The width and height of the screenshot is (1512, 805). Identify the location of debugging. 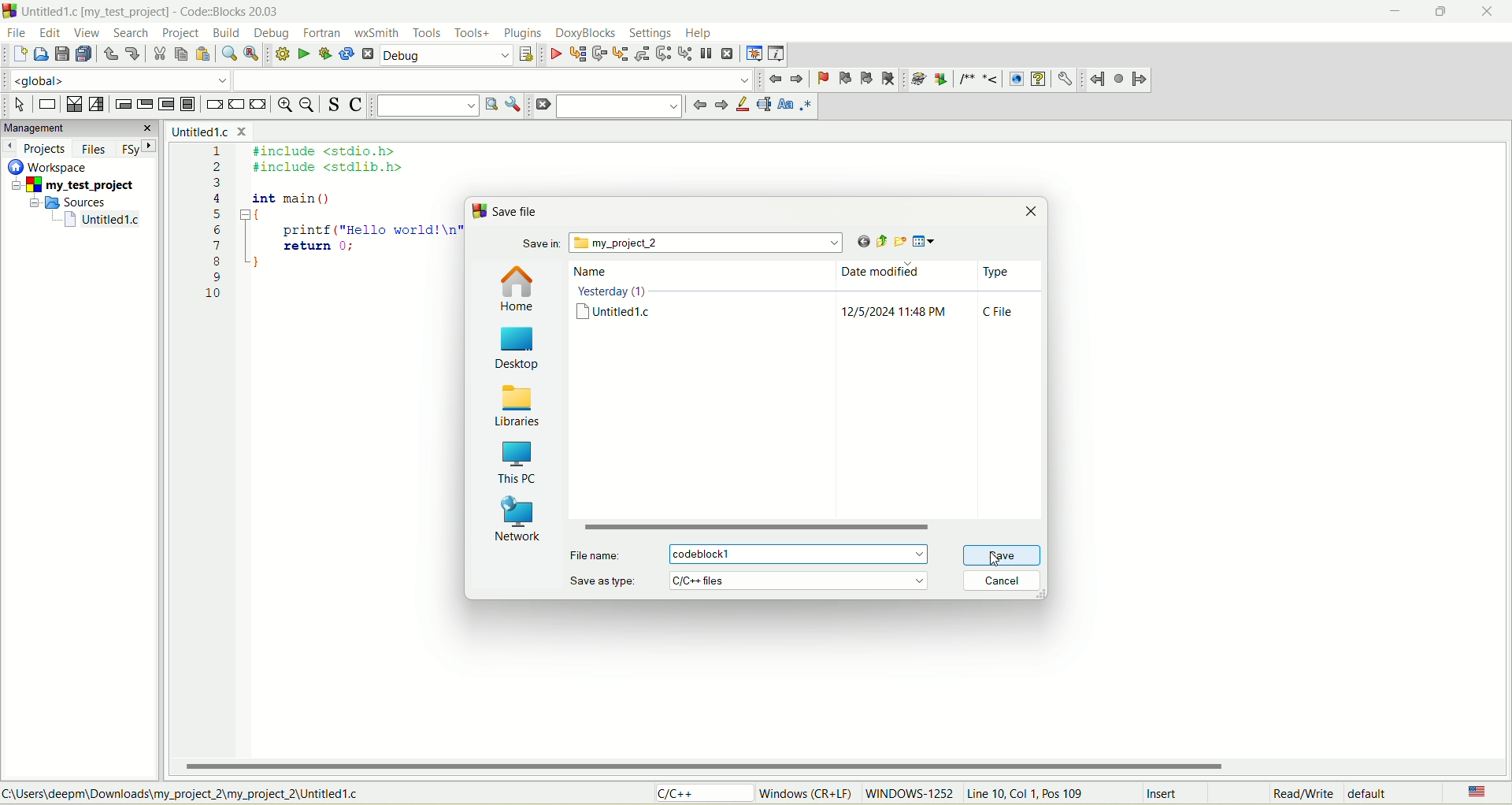
(754, 54).